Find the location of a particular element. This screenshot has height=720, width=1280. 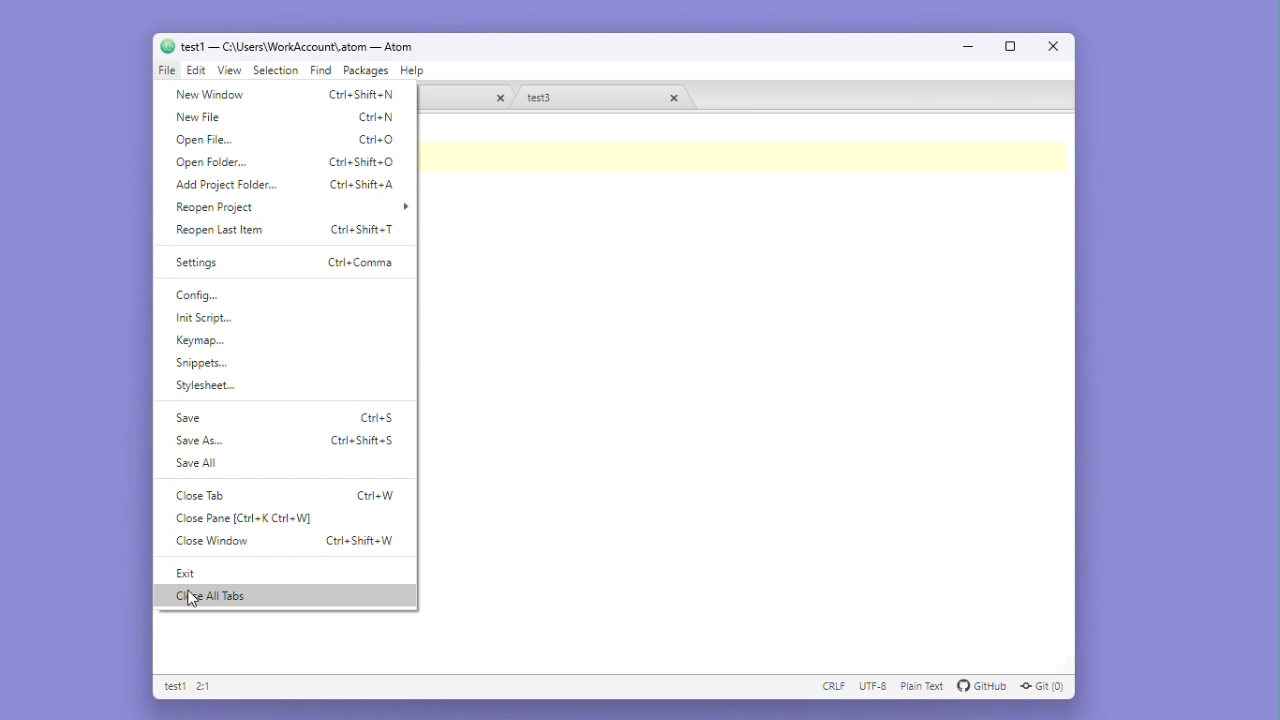

Find is located at coordinates (322, 71).